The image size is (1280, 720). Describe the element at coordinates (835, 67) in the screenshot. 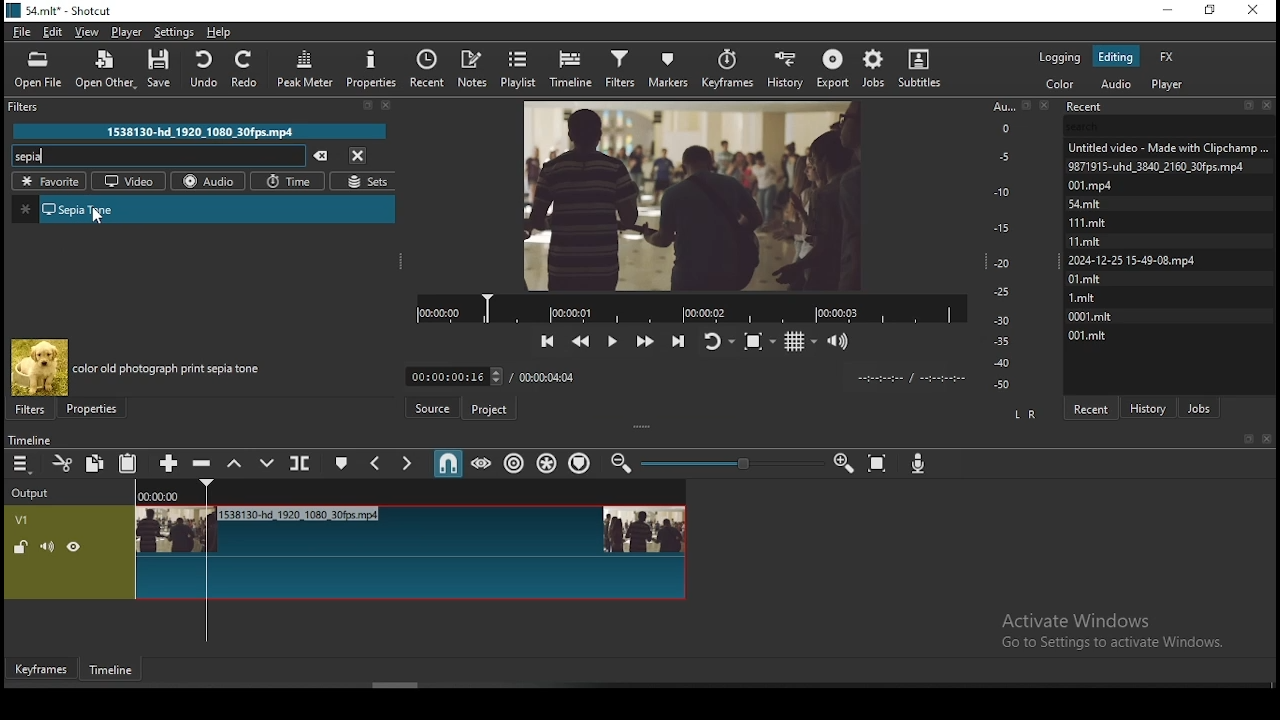

I see `export` at that location.